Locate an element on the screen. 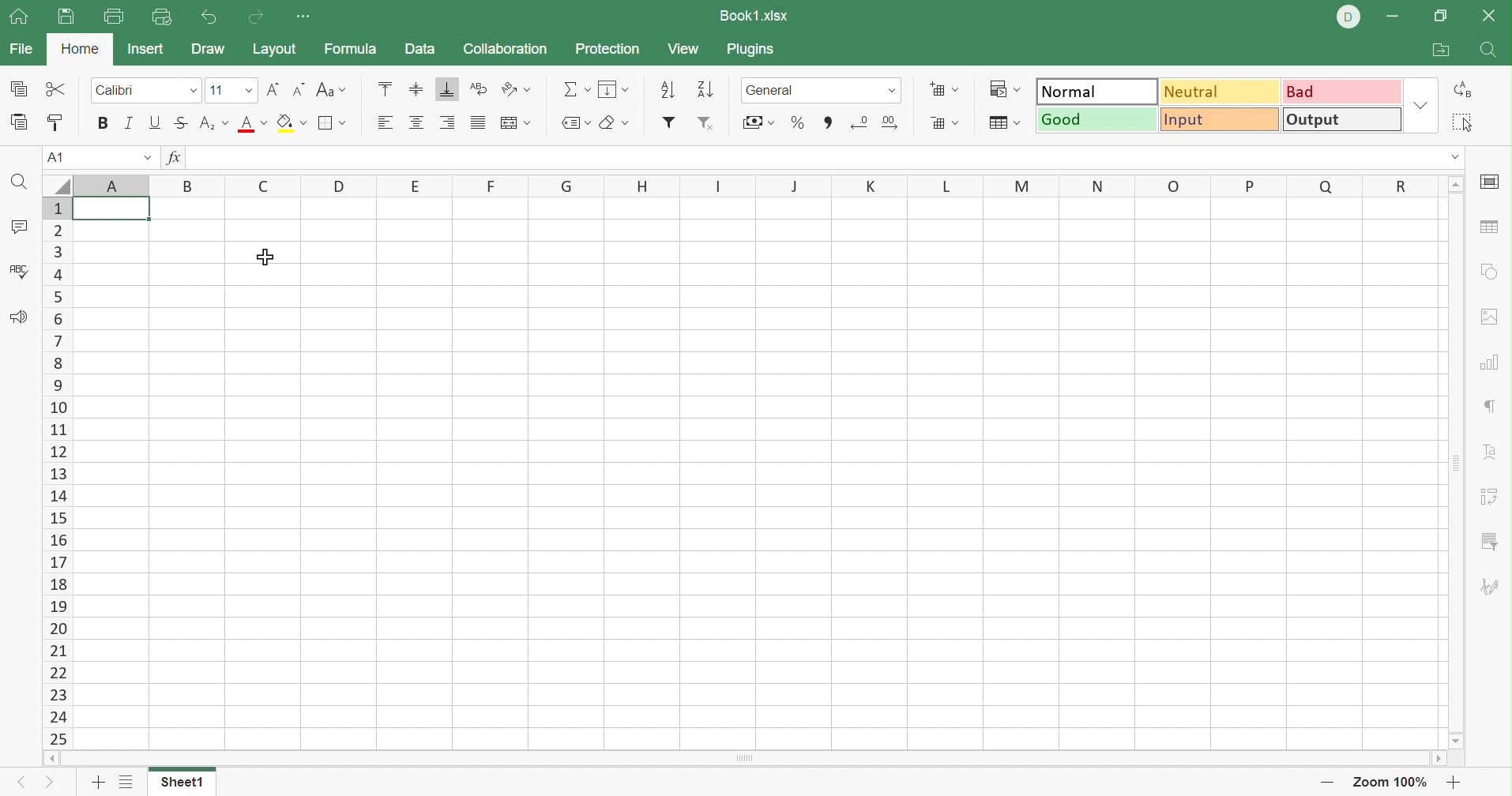 The width and height of the screenshot is (1512, 796). Conditional formatting is located at coordinates (1004, 90).